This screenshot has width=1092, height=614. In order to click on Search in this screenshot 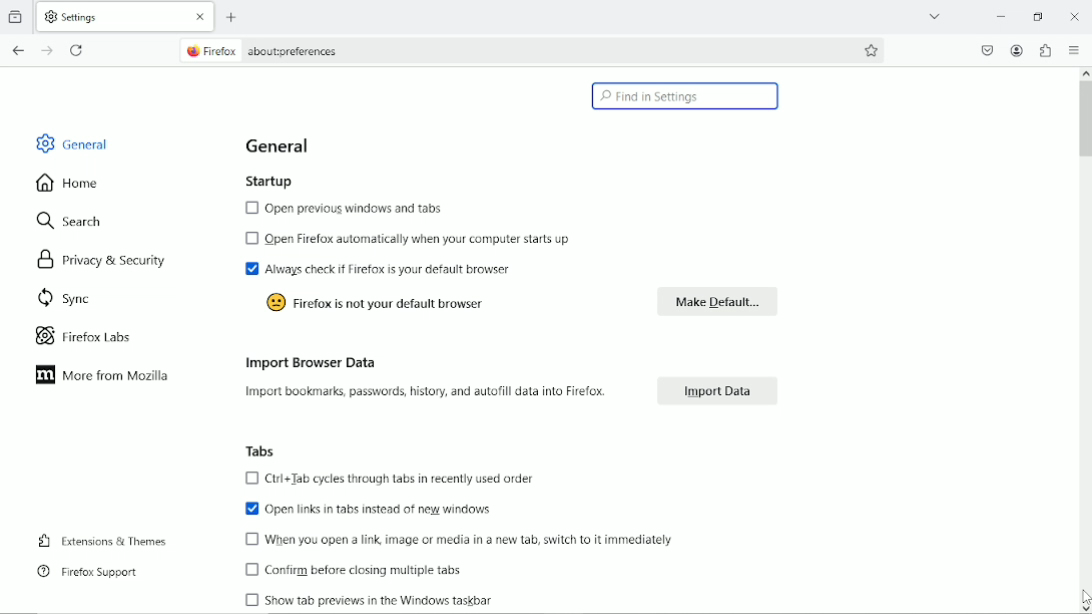, I will do `click(70, 222)`.